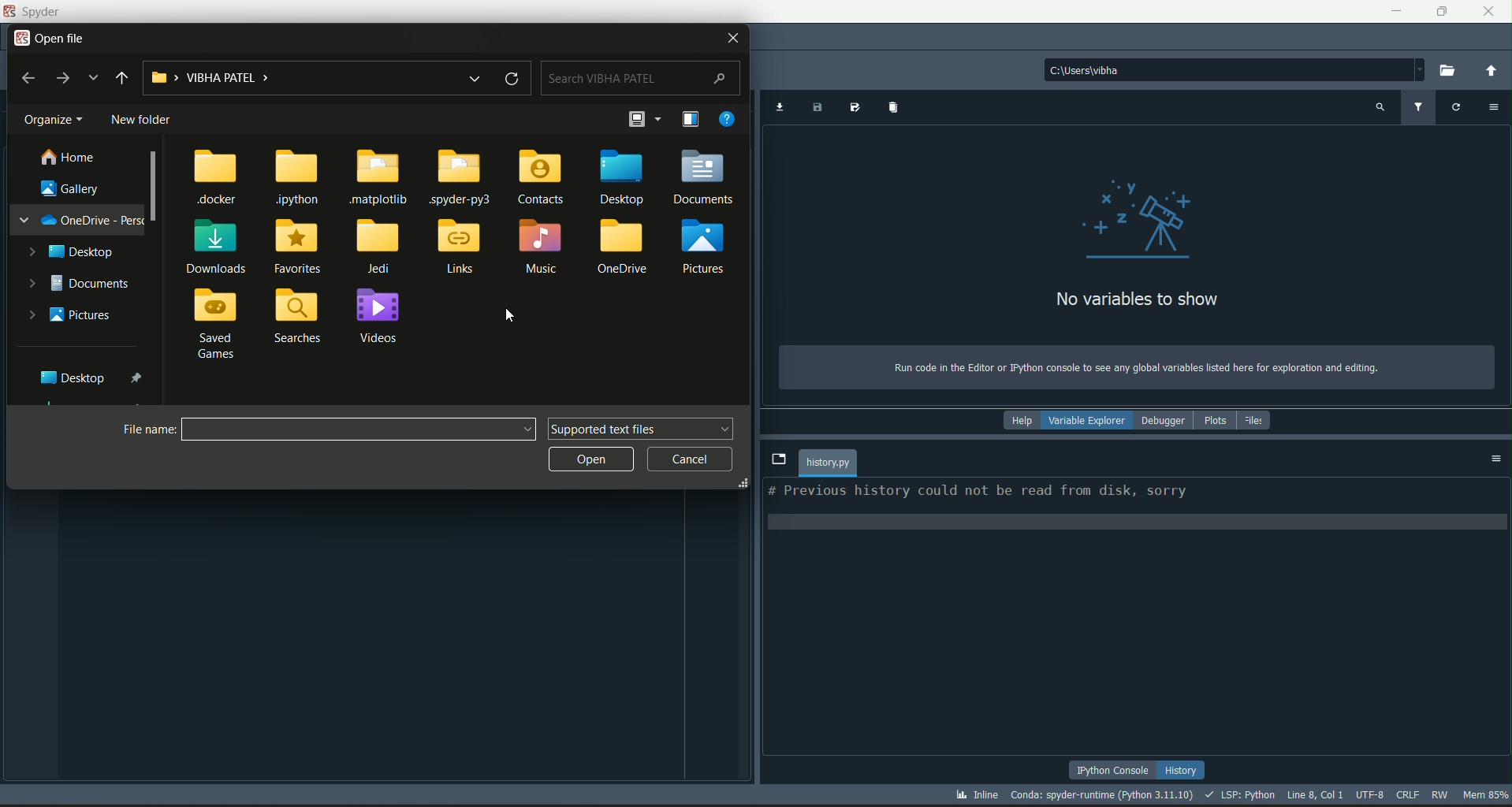 The image size is (1512, 807). Describe the element at coordinates (68, 158) in the screenshot. I see `home` at that location.